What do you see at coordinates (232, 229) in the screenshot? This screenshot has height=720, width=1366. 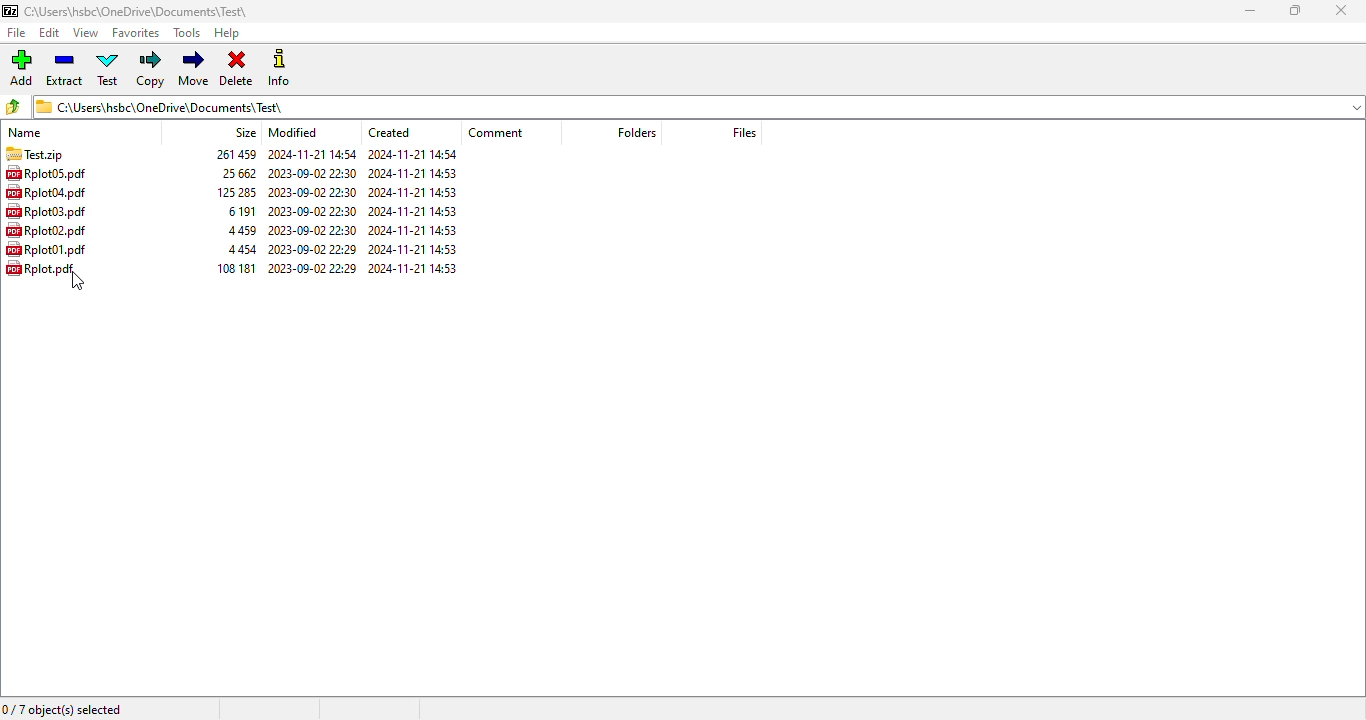 I see `4459` at bounding box center [232, 229].